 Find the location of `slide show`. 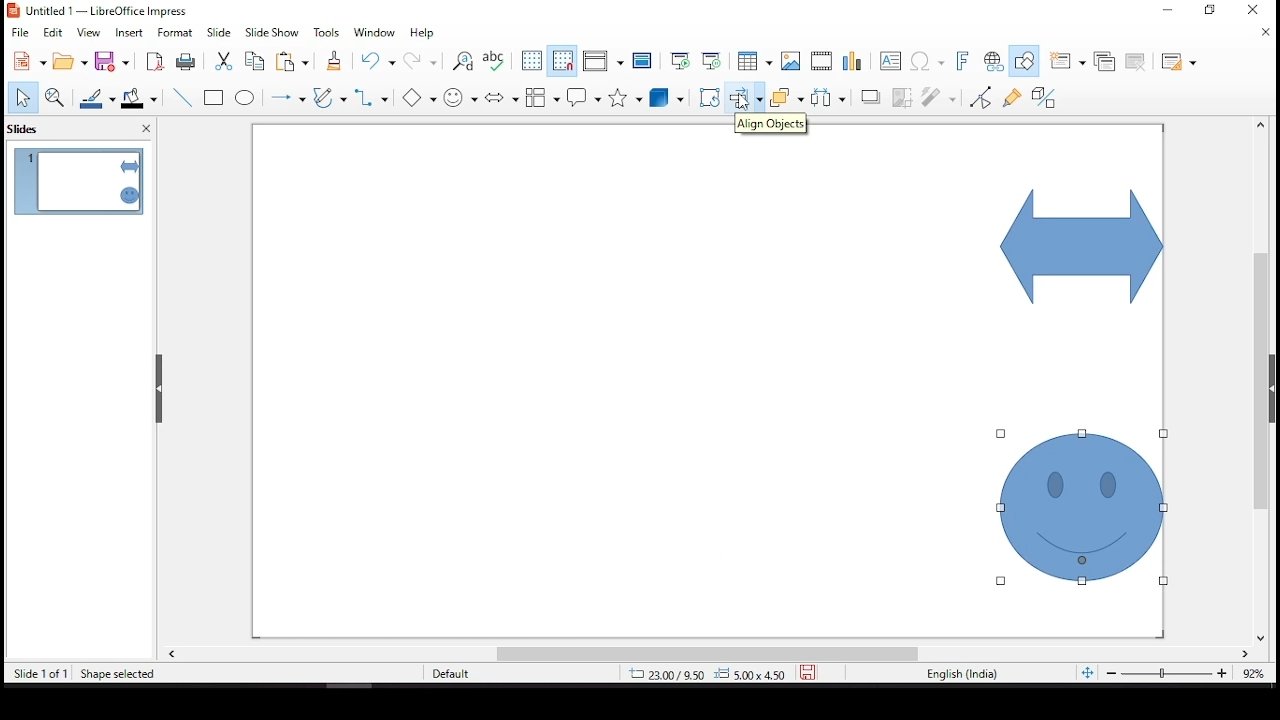

slide show is located at coordinates (275, 33).